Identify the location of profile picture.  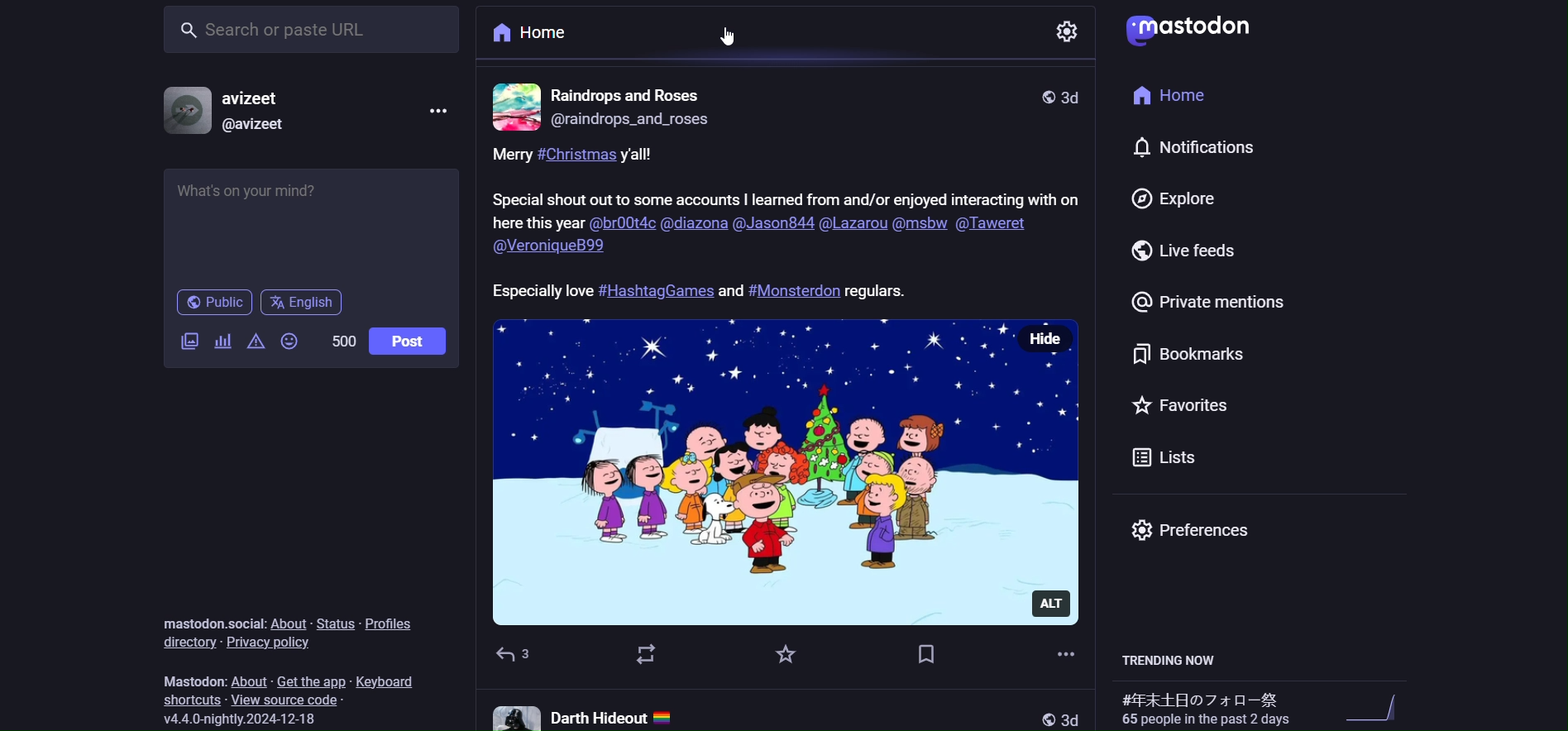
(514, 105).